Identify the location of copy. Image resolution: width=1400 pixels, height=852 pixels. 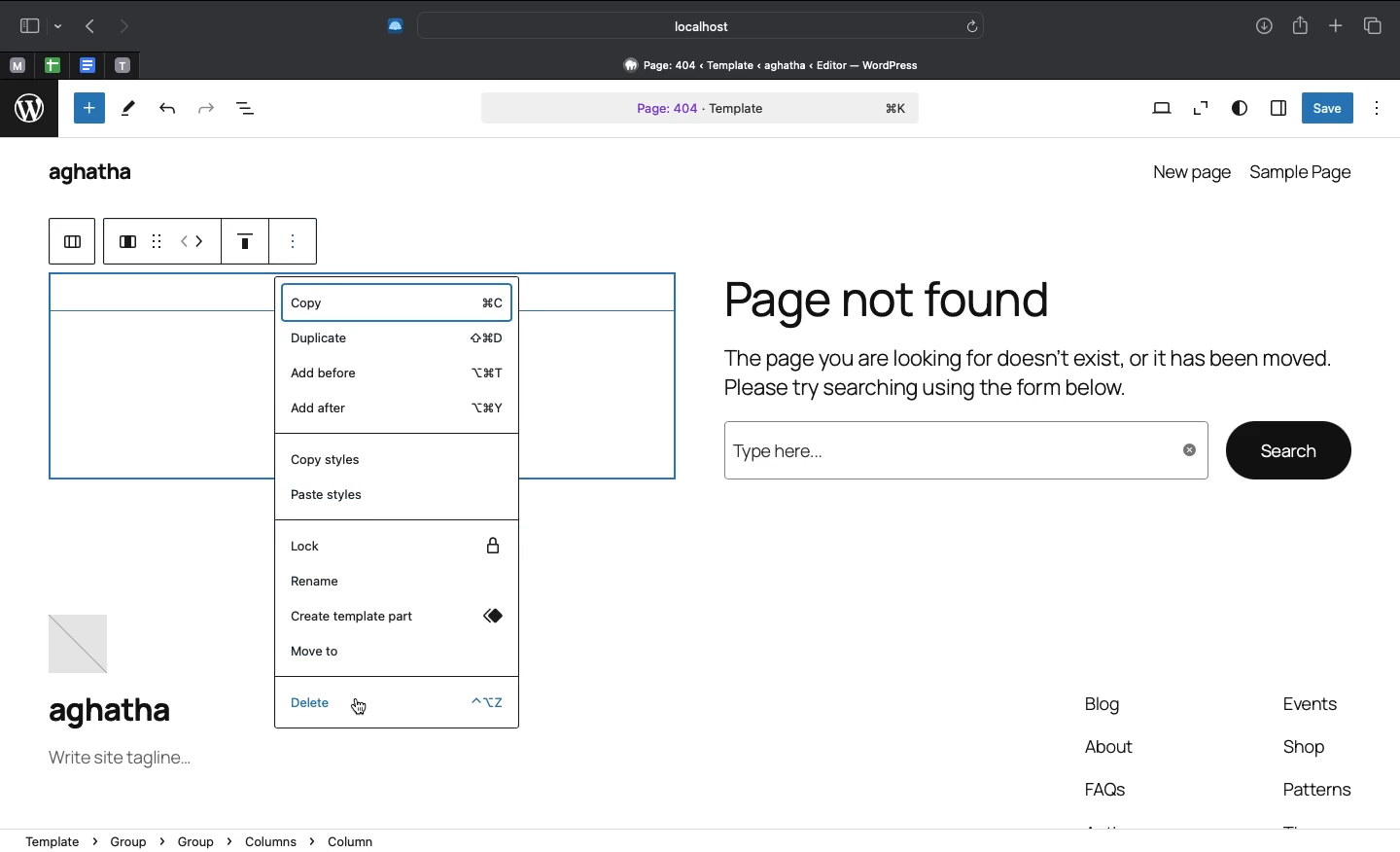
(393, 301).